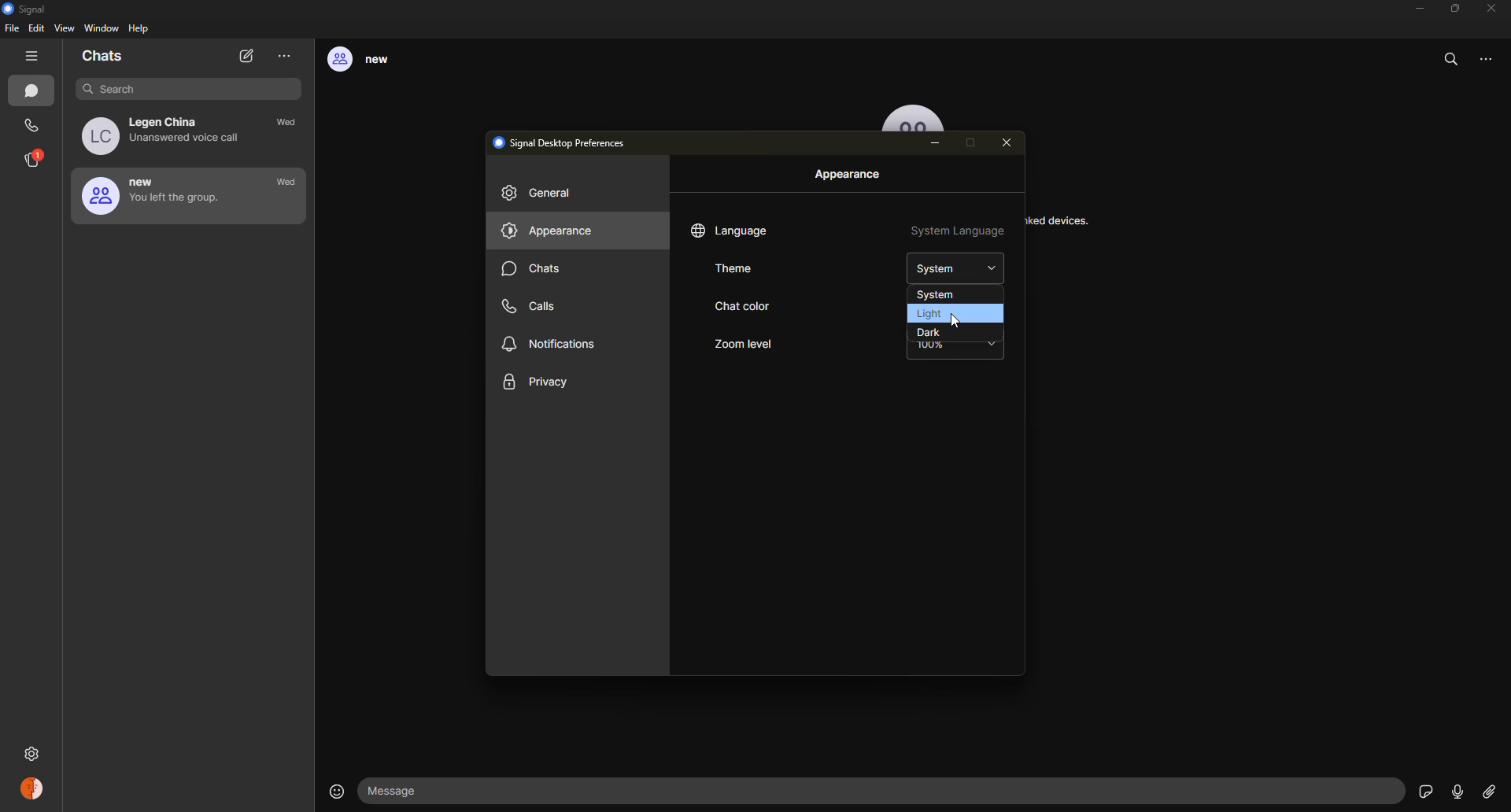  What do you see at coordinates (248, 57) in the screenshot?
I see `new chat` at bounding box center [248, 57].